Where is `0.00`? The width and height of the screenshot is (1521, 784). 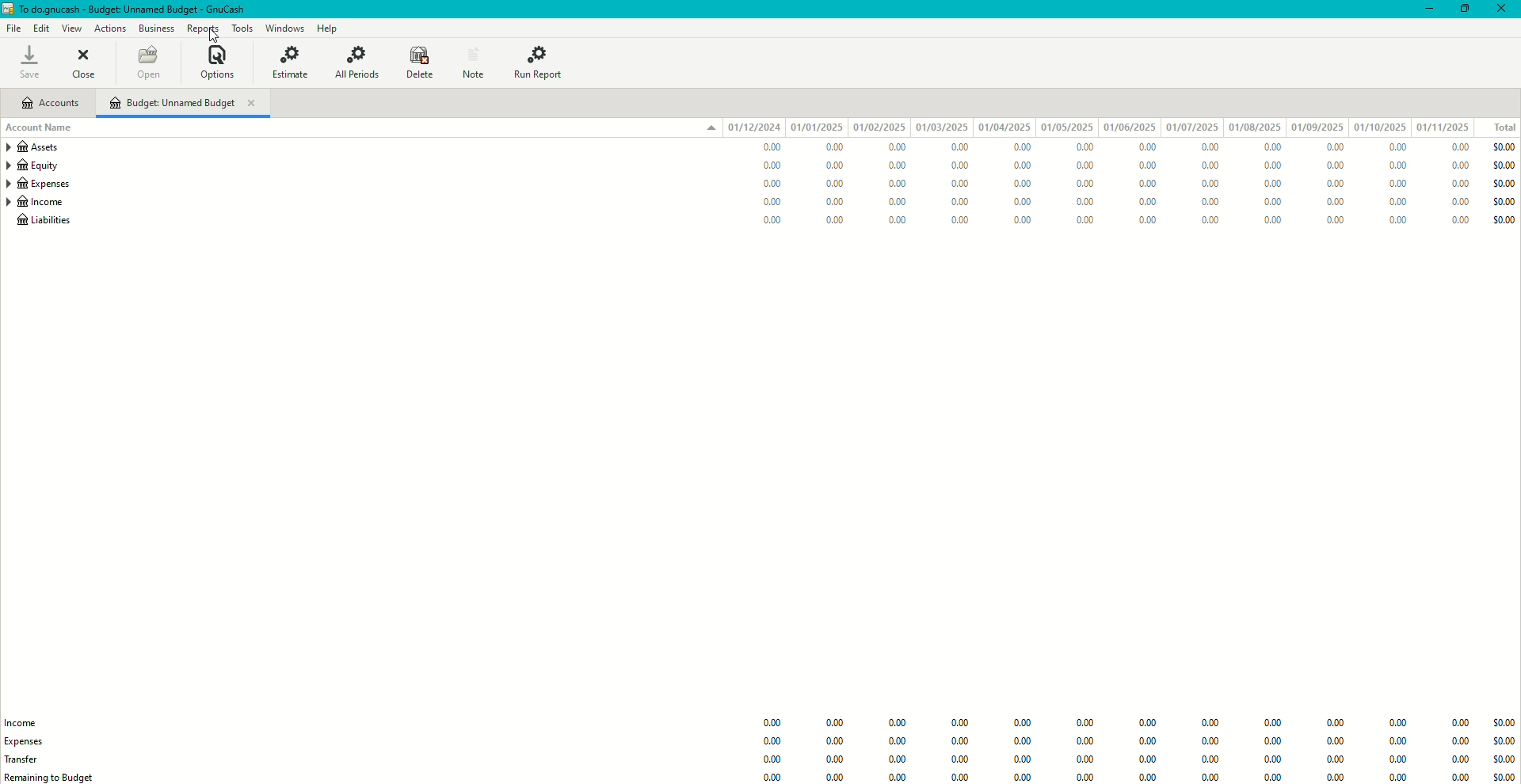 0.00 is located at coordinates (1210, 761).